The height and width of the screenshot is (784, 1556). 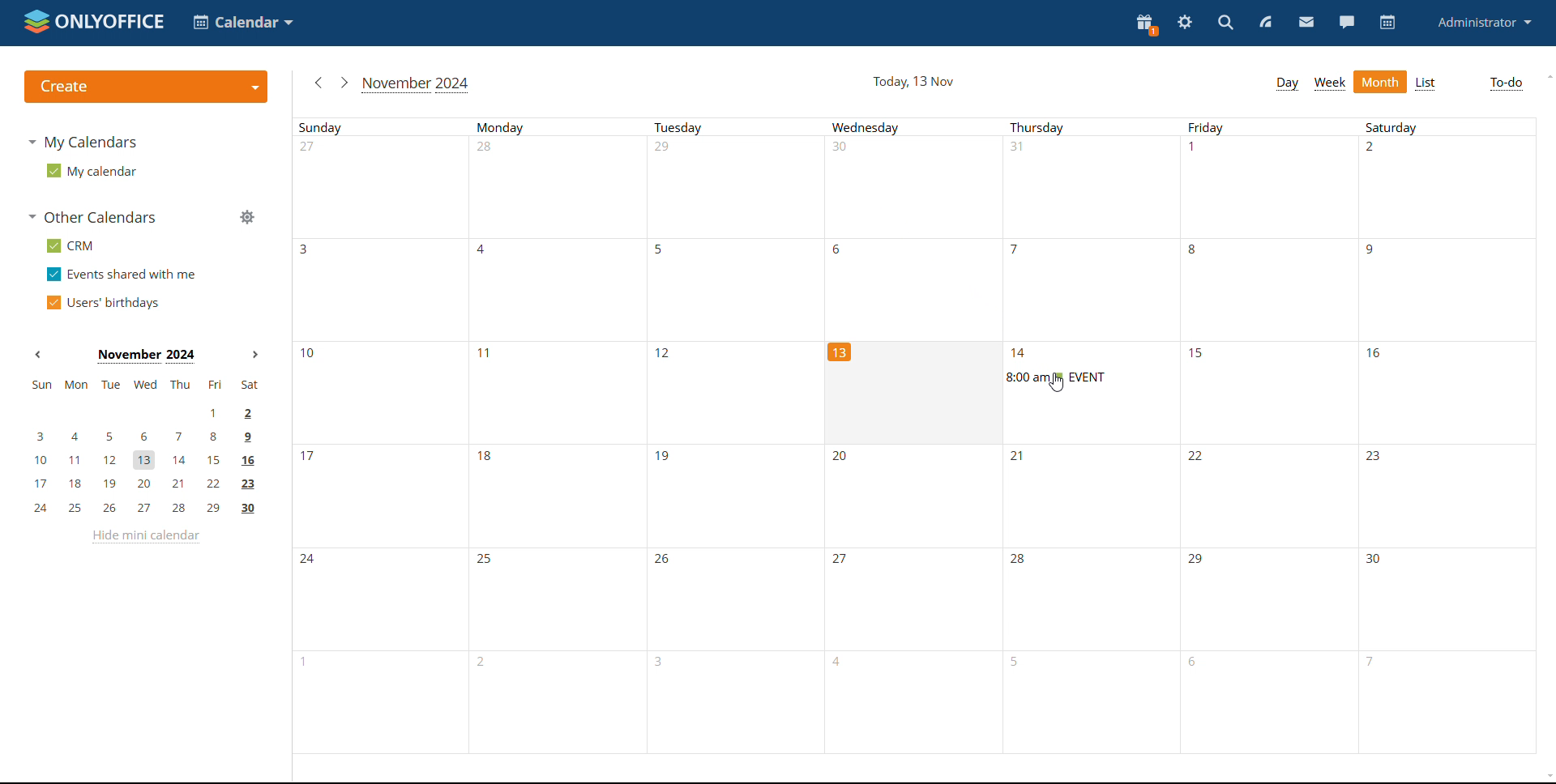 What do you see at coordinates (918, 494) in the screenshot?
I see `Dates of the month` at bounding box center [918, 494].